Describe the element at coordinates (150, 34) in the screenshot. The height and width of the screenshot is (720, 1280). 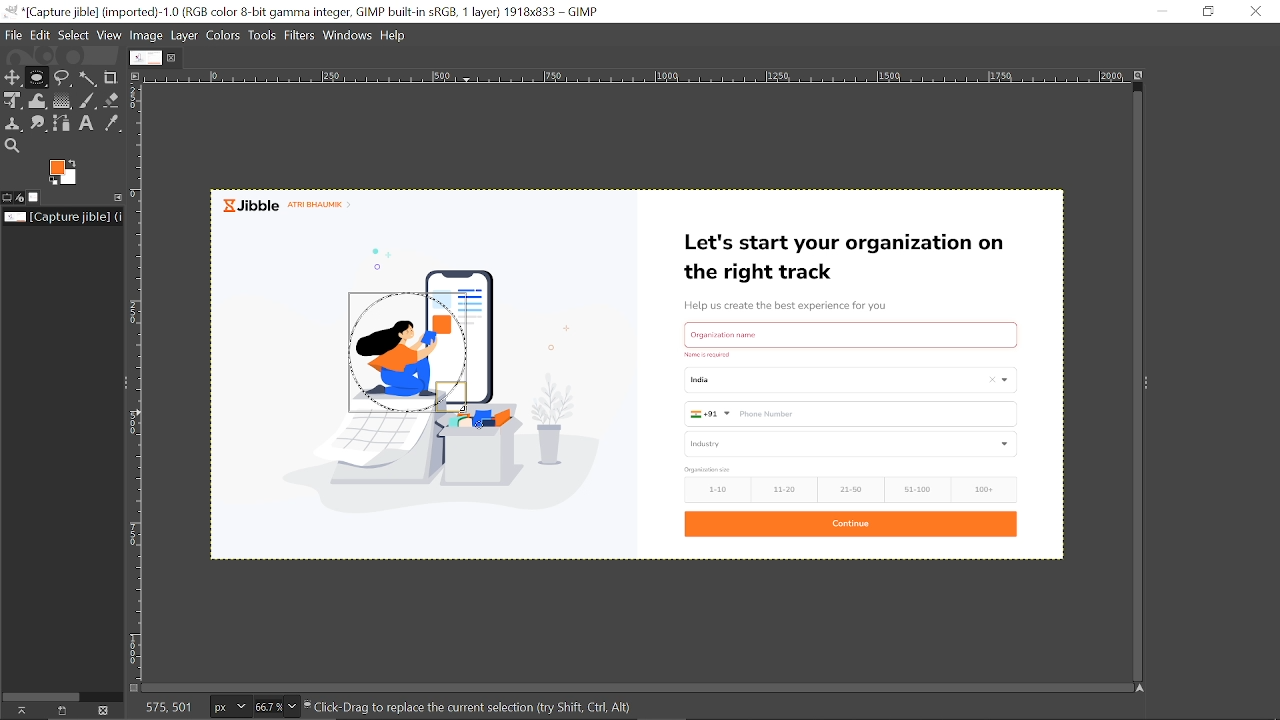
I see `Image` at that location.